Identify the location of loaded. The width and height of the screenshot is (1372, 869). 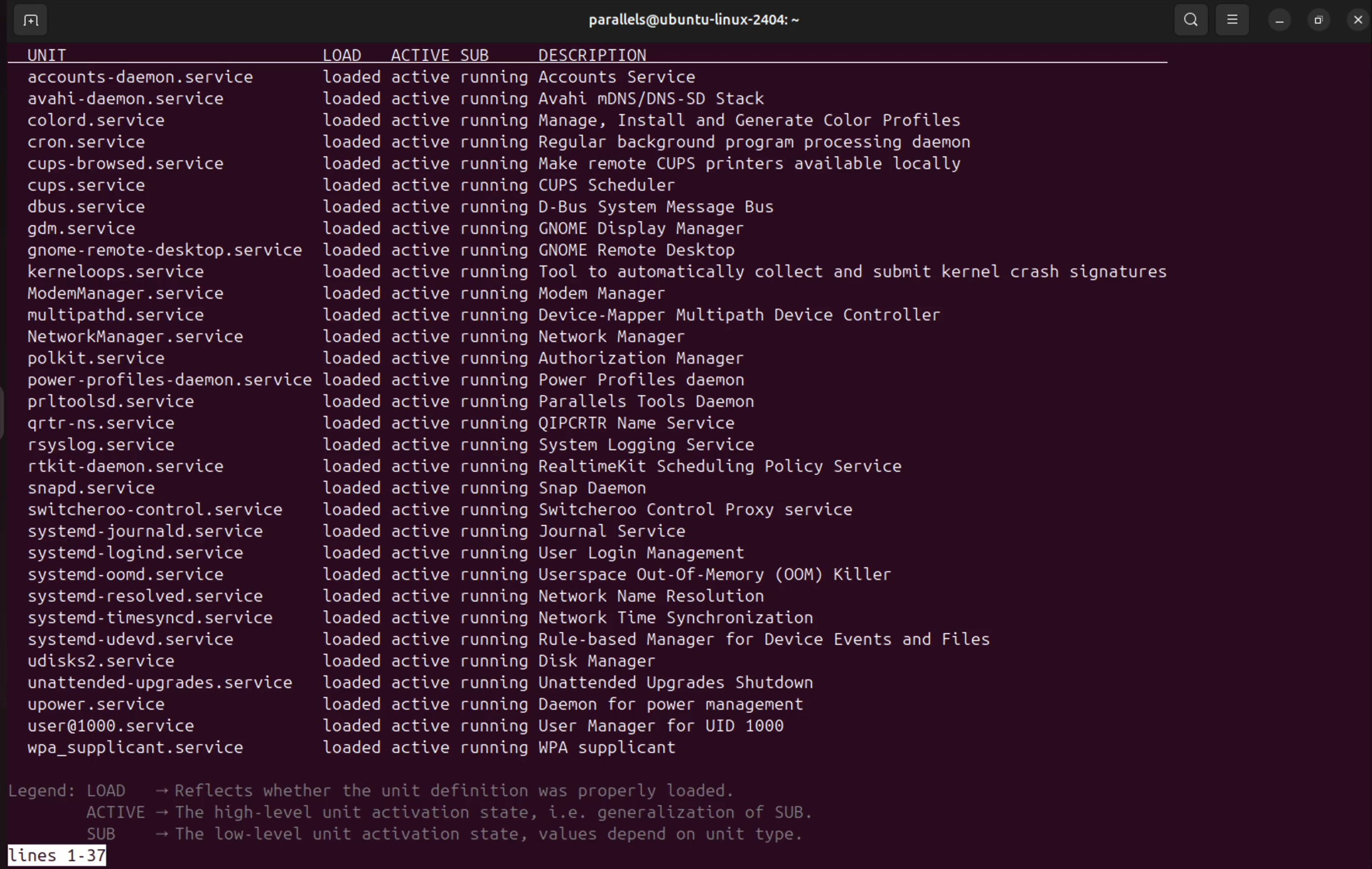
(354, 360).